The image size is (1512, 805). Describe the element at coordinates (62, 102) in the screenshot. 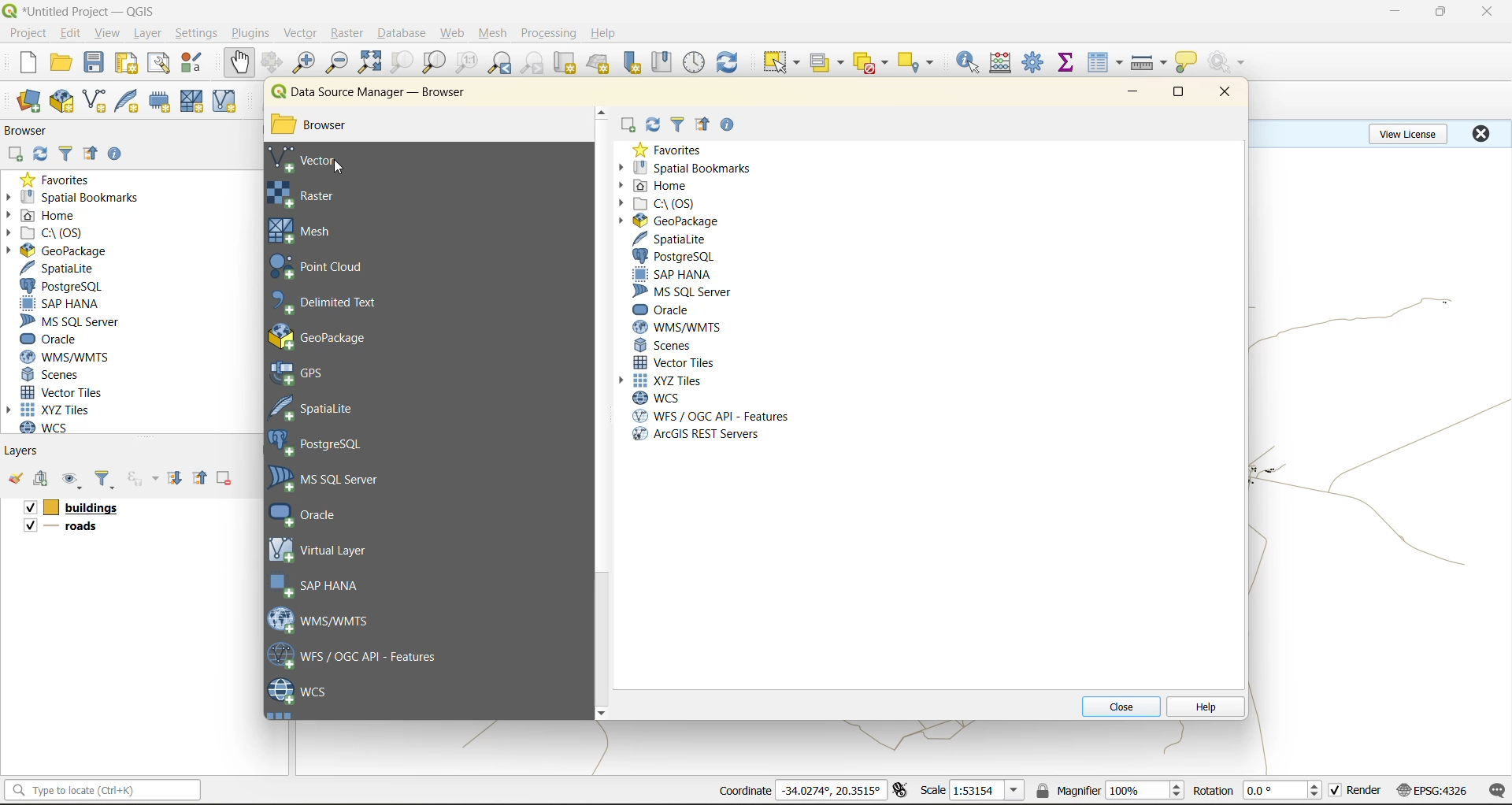

I see `new geopackage layer` at that location.